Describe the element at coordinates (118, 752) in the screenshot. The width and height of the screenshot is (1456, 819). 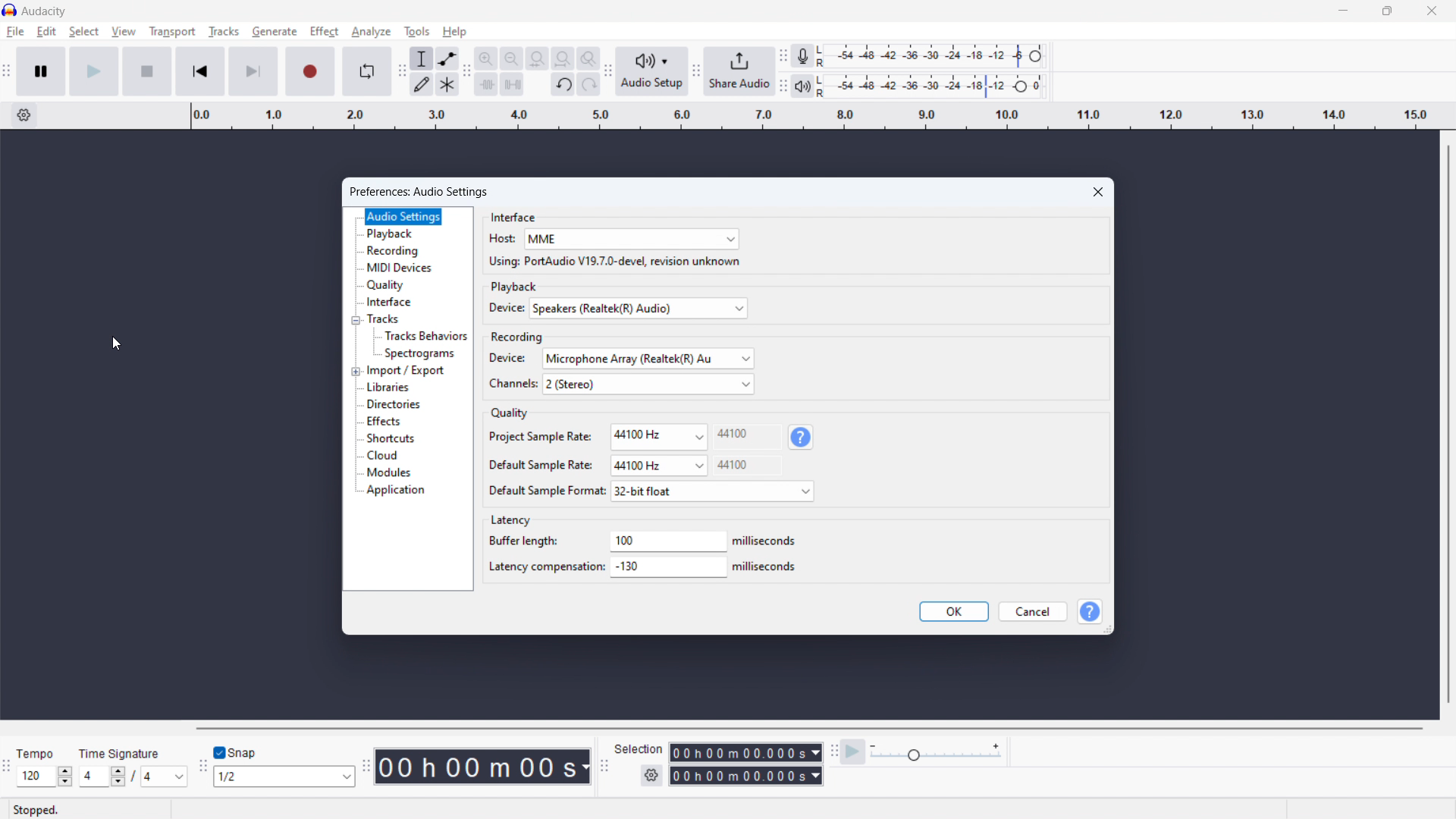
I see `Time signature` at that location.